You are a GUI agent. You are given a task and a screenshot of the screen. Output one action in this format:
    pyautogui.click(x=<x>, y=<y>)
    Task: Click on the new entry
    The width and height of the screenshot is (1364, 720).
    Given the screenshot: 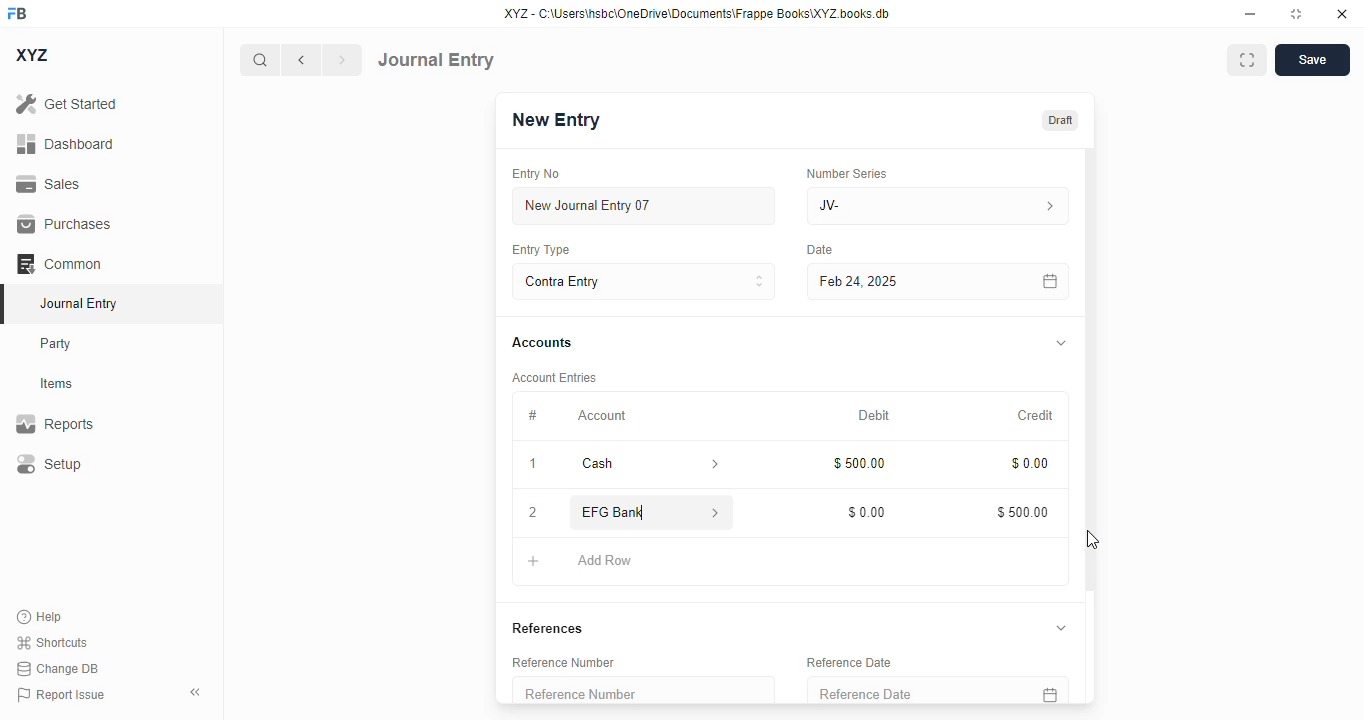 What is the action you would take?
    pyautogui.click(x=557, y=119)
    